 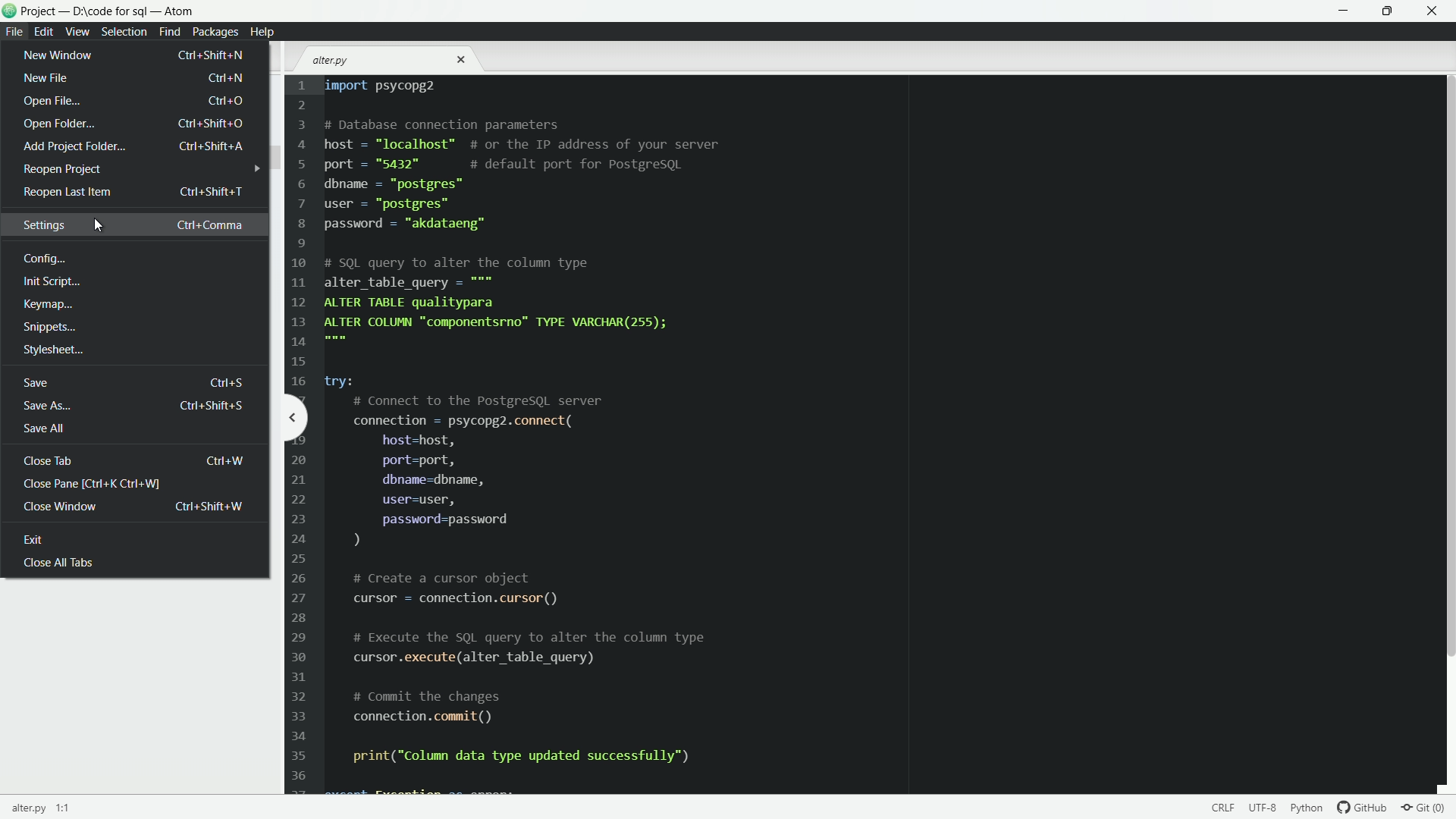 I want to click on github, so click(x=1364, y=807).